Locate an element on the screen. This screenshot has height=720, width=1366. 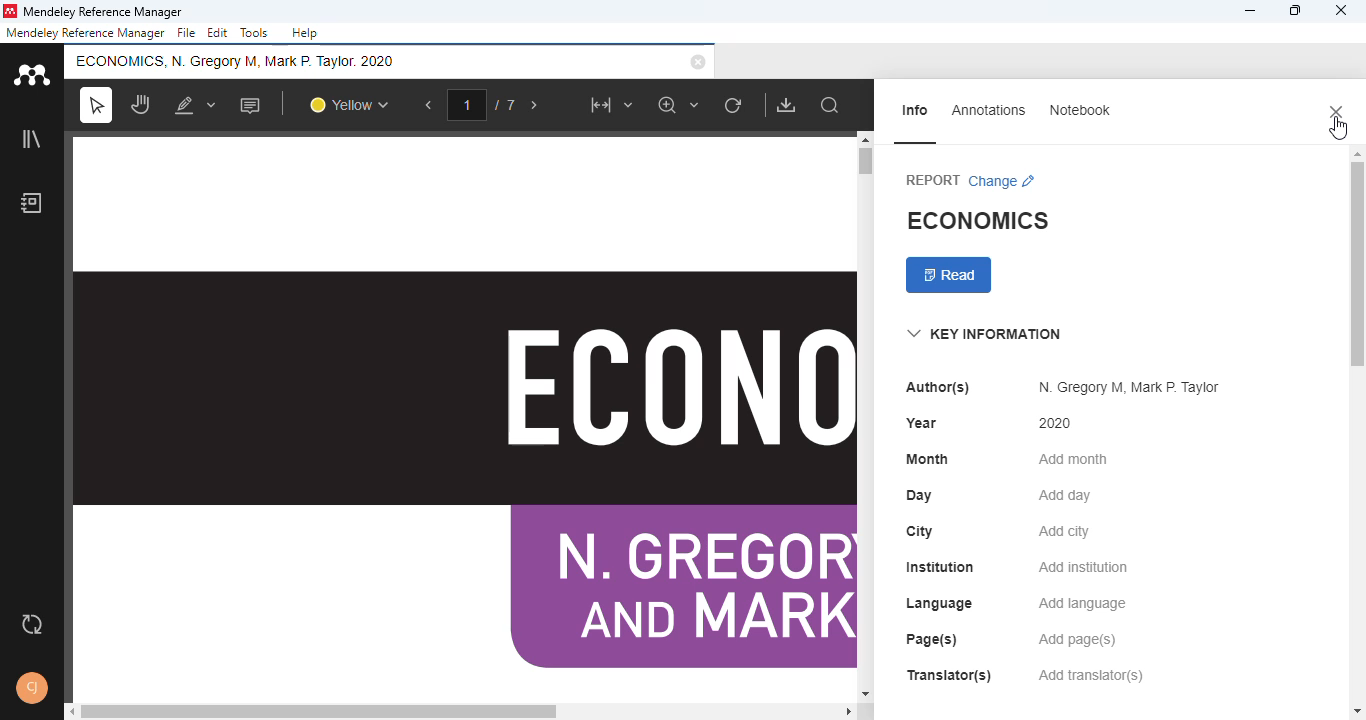
notebook is located at coordinates (1080, 110).